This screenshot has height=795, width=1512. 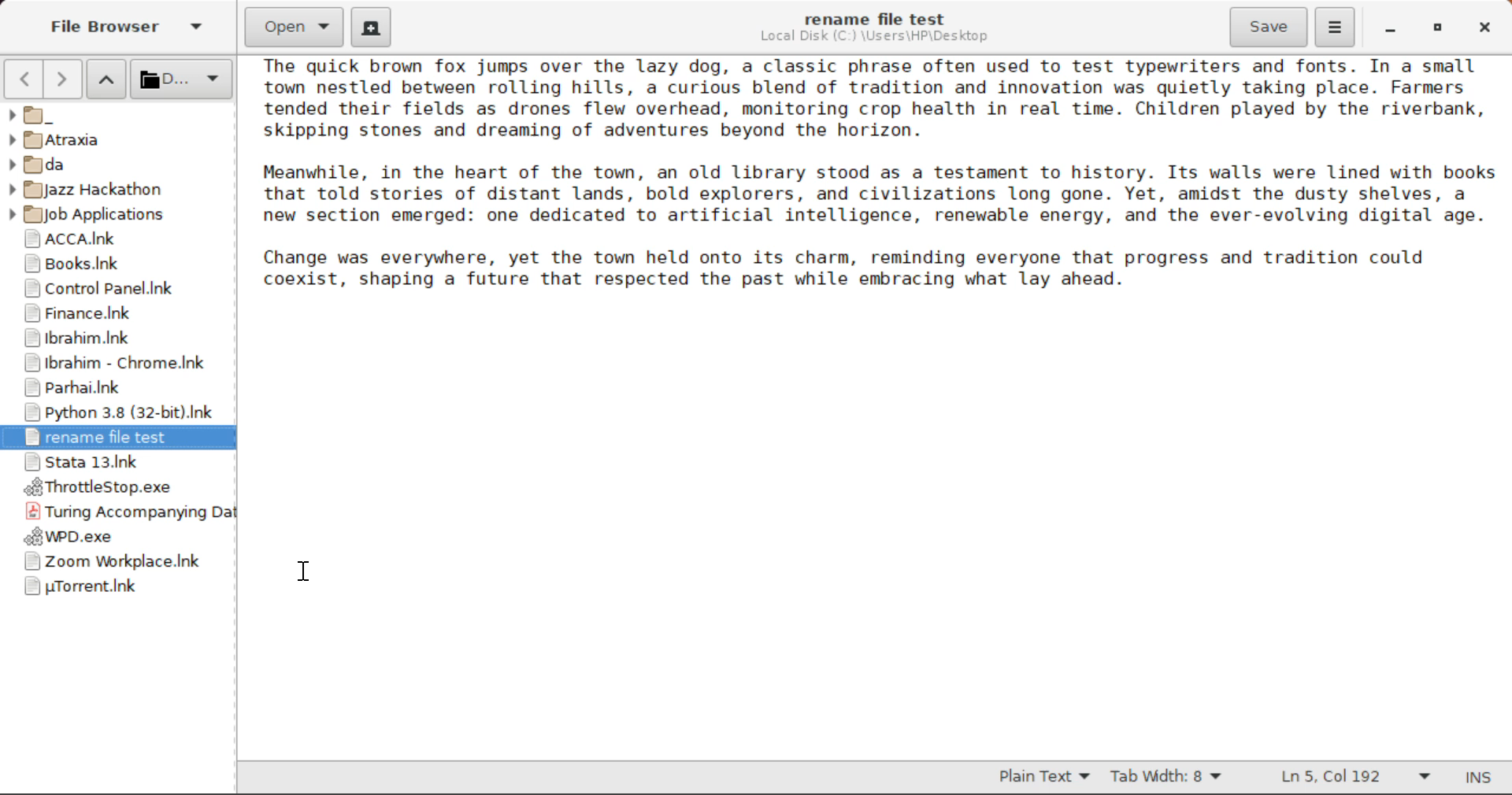 What do you see at coordinates (876, 18) in the screenshot?
I see `rename file test File Name` at bounding box center [876, 18].